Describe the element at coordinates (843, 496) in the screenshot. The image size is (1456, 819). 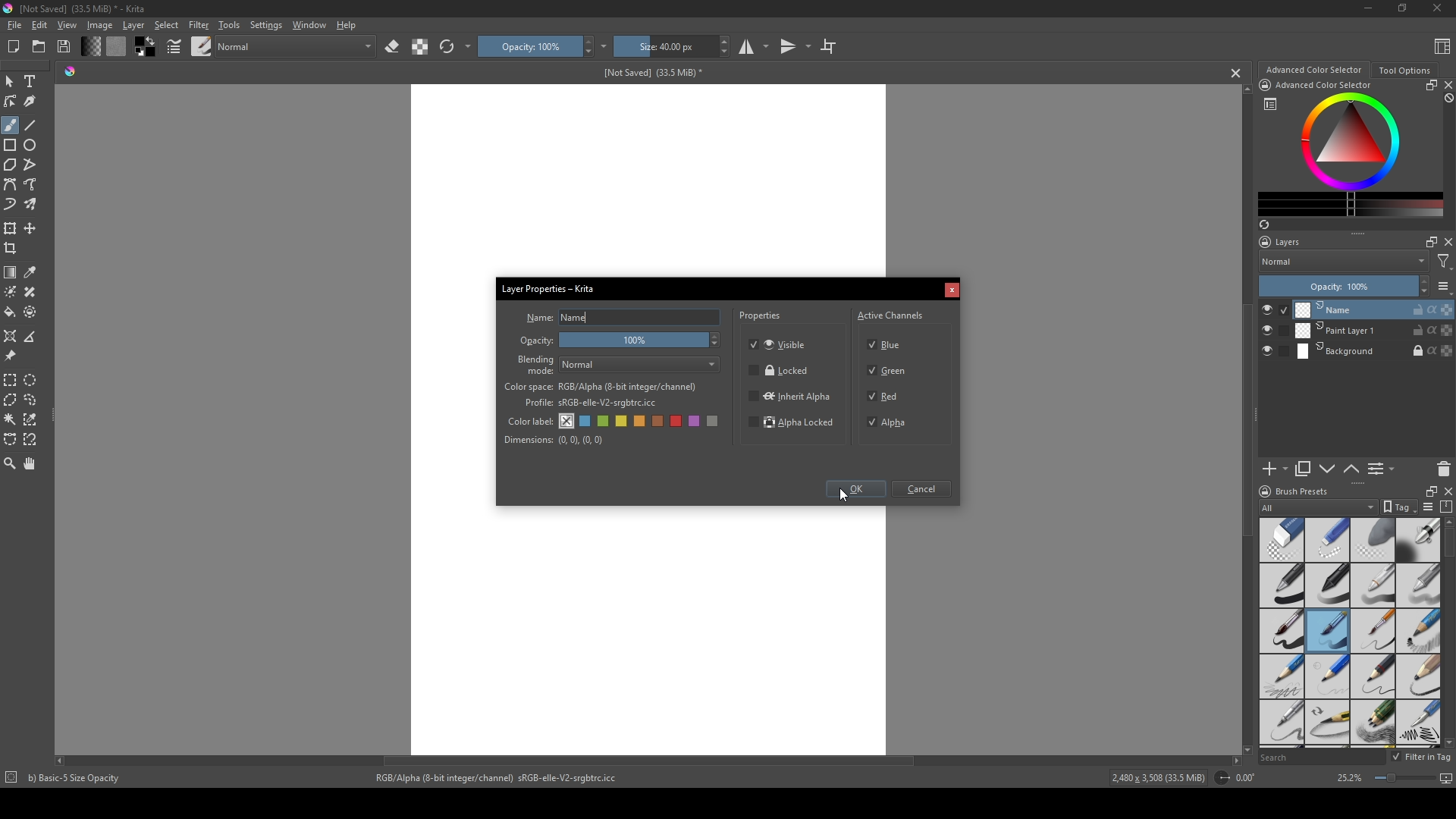
I see `cursor` at that location.